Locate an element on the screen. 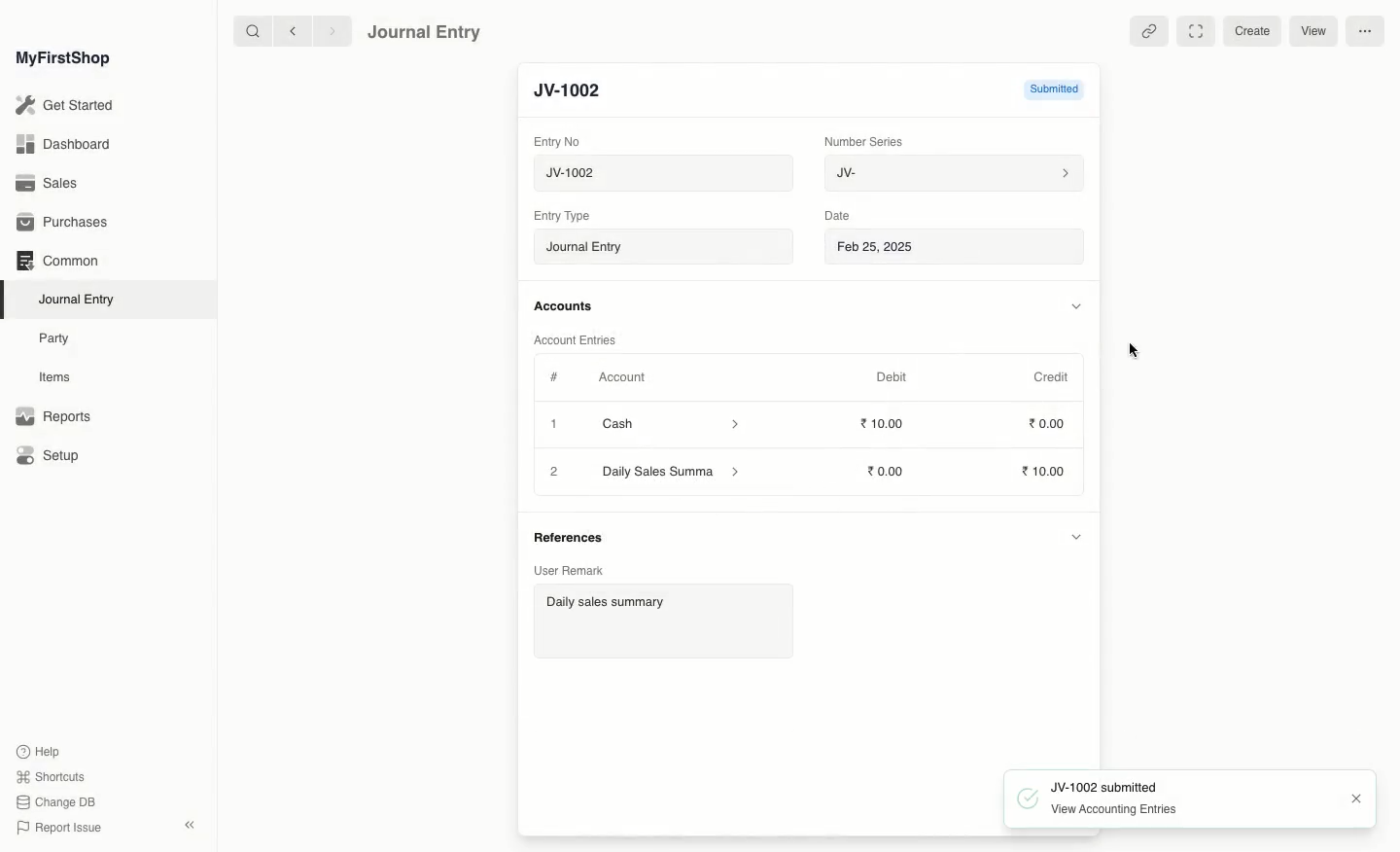 Image resolution: width=1400 pixels, height=852 pixels. 1 is located at coordinates (556, 426).